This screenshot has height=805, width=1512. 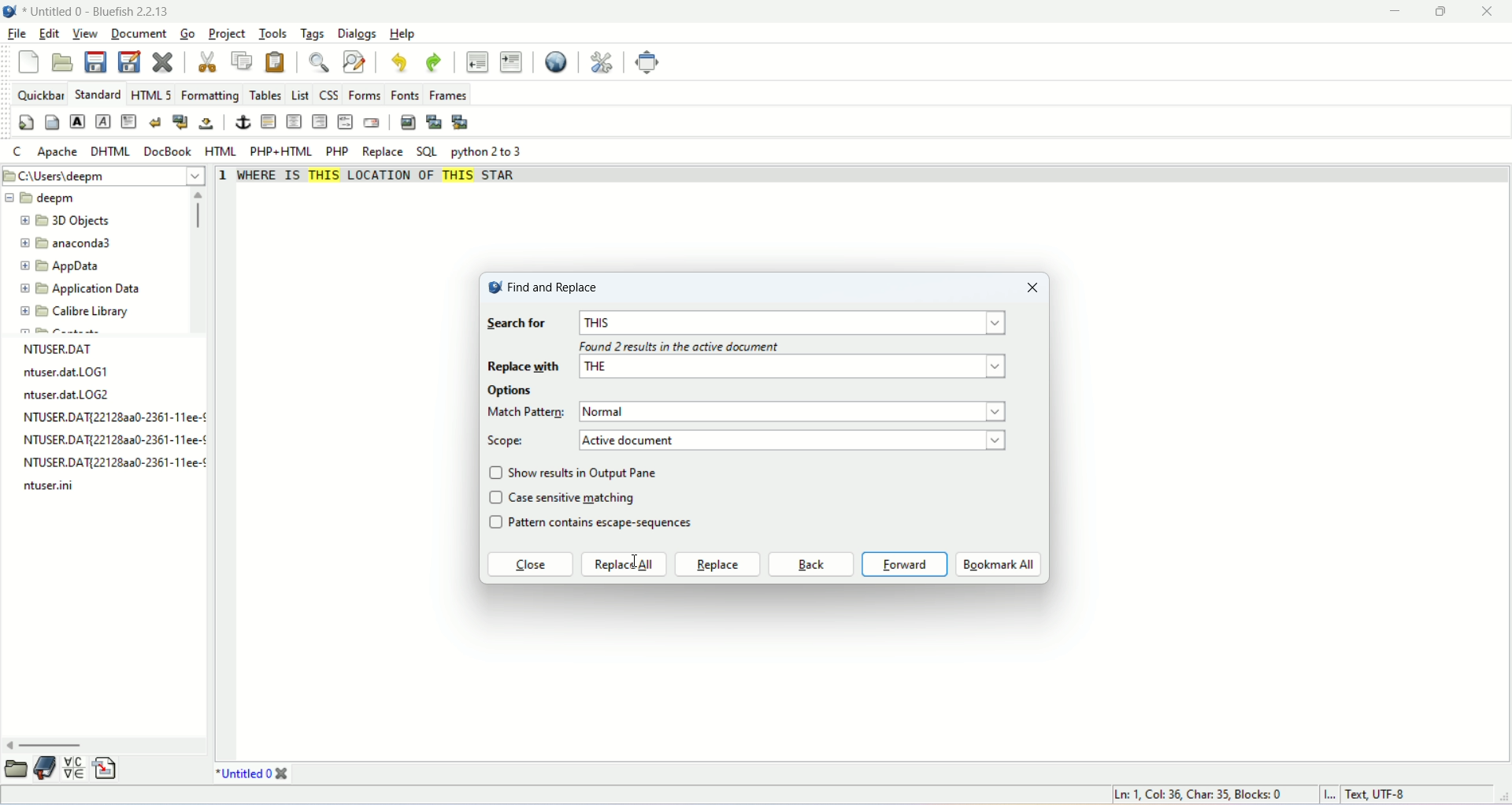 I want to click on save as, so click(x=130, y=61).